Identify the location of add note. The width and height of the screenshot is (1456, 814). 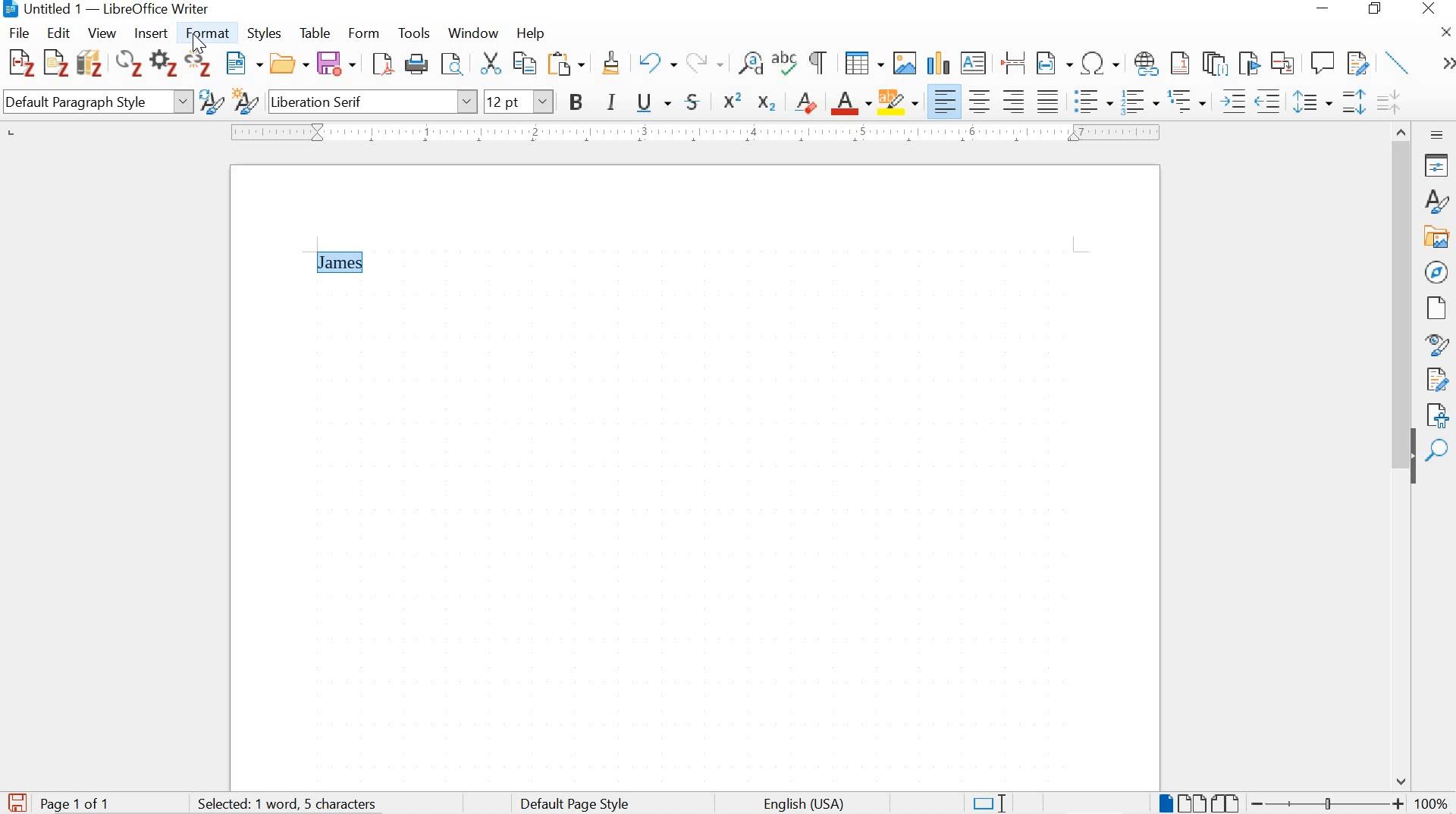
(56, 61).